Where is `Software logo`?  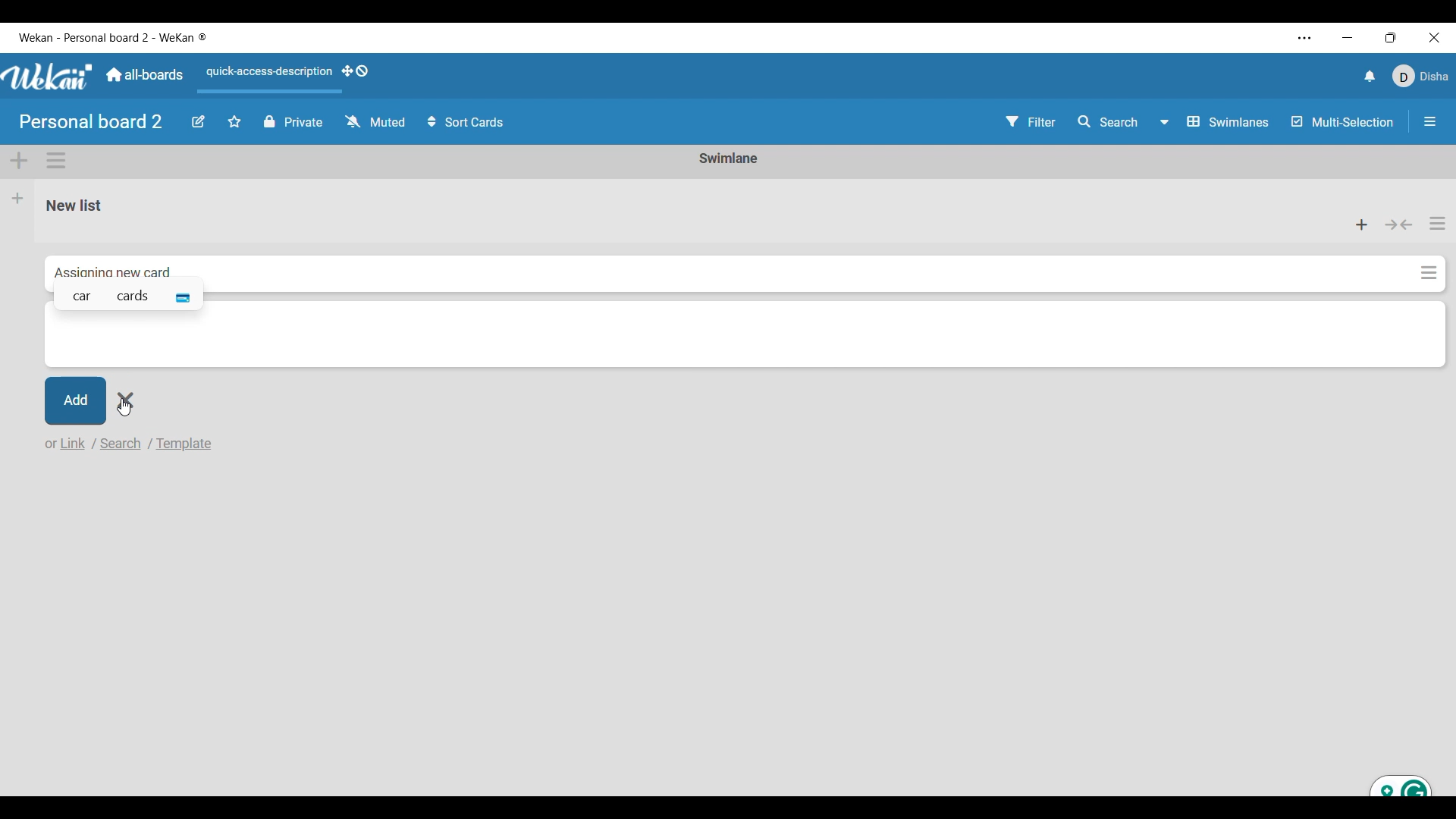 Software logo is located at coordinates (48, 77).